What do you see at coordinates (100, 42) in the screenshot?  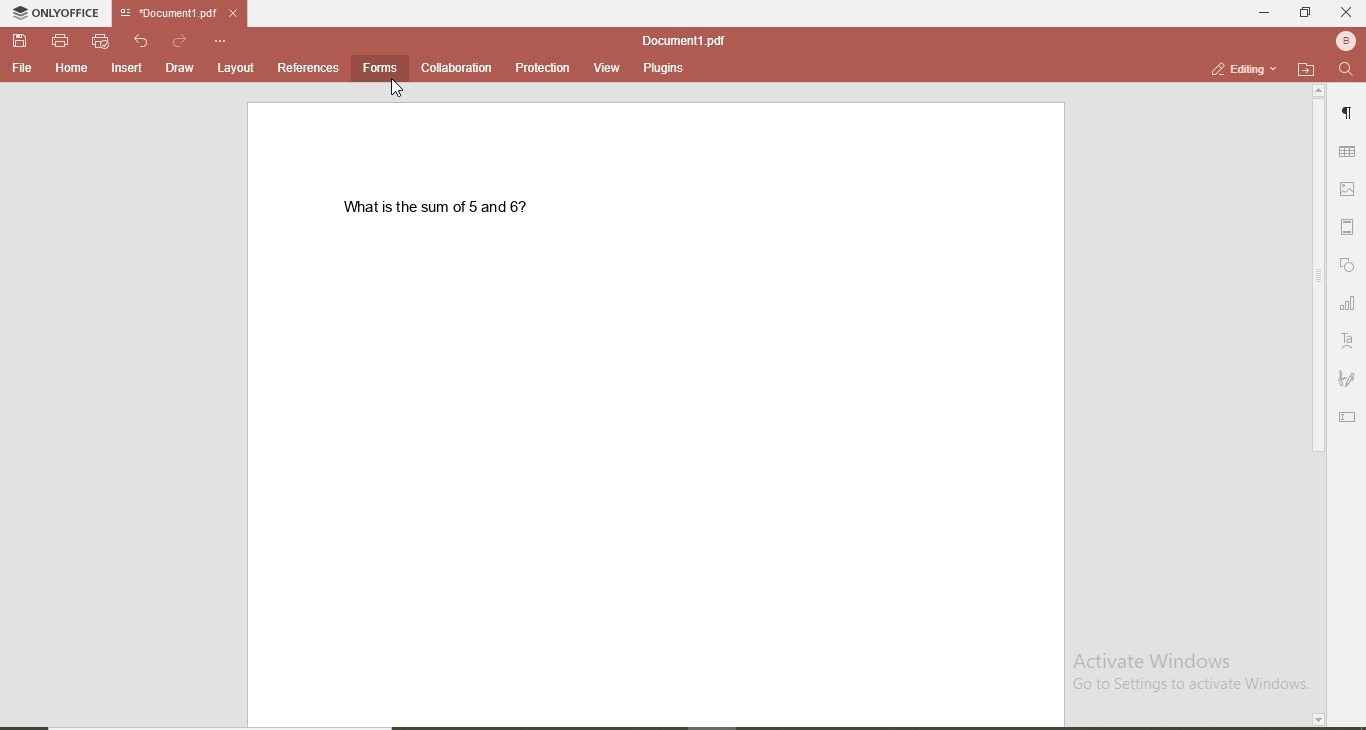 I see `quick print` at bounding box center [100, 42].